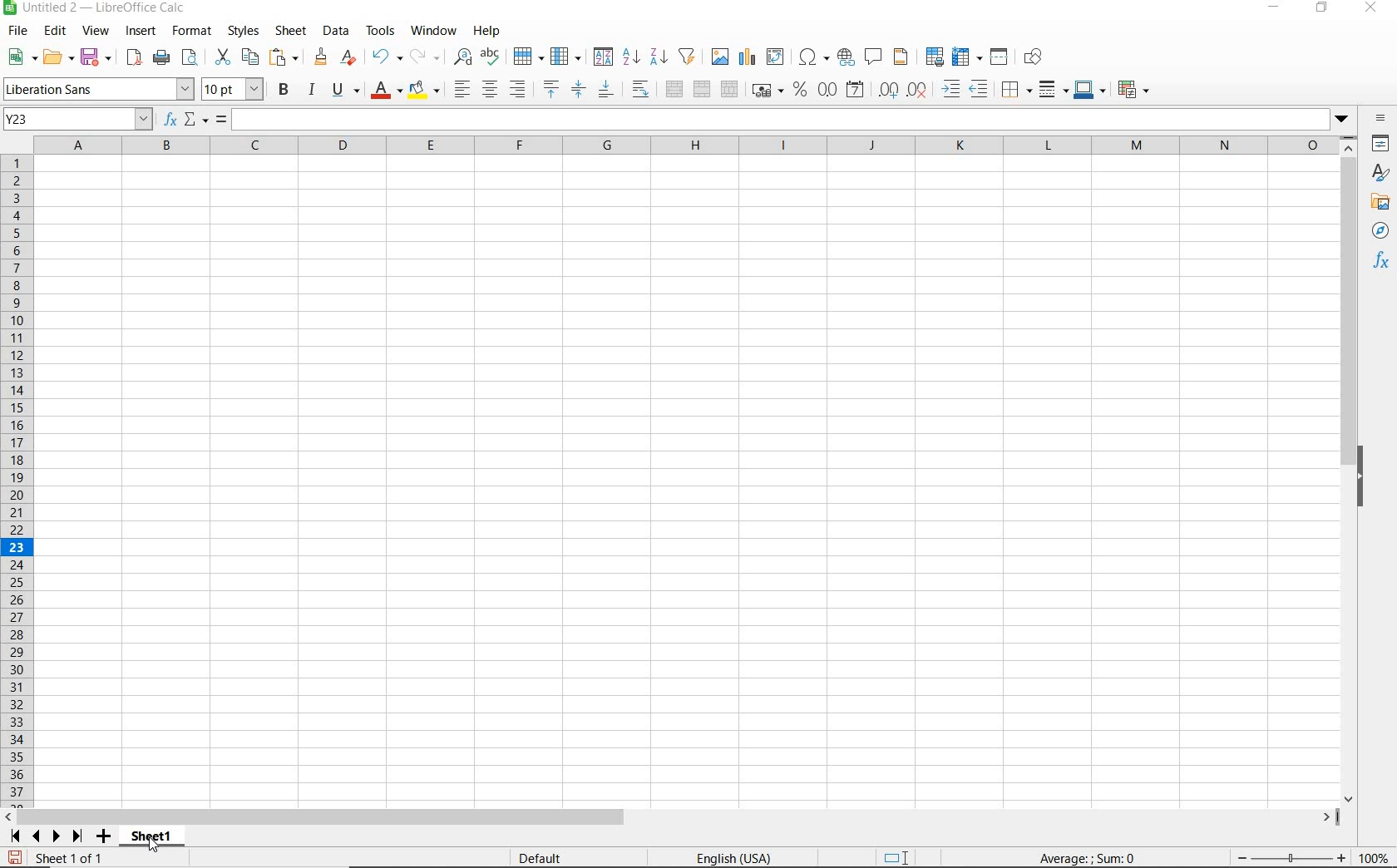 This screenshot has height=868, width=1397. I want to click on BORDERS, so click(1014, 91).